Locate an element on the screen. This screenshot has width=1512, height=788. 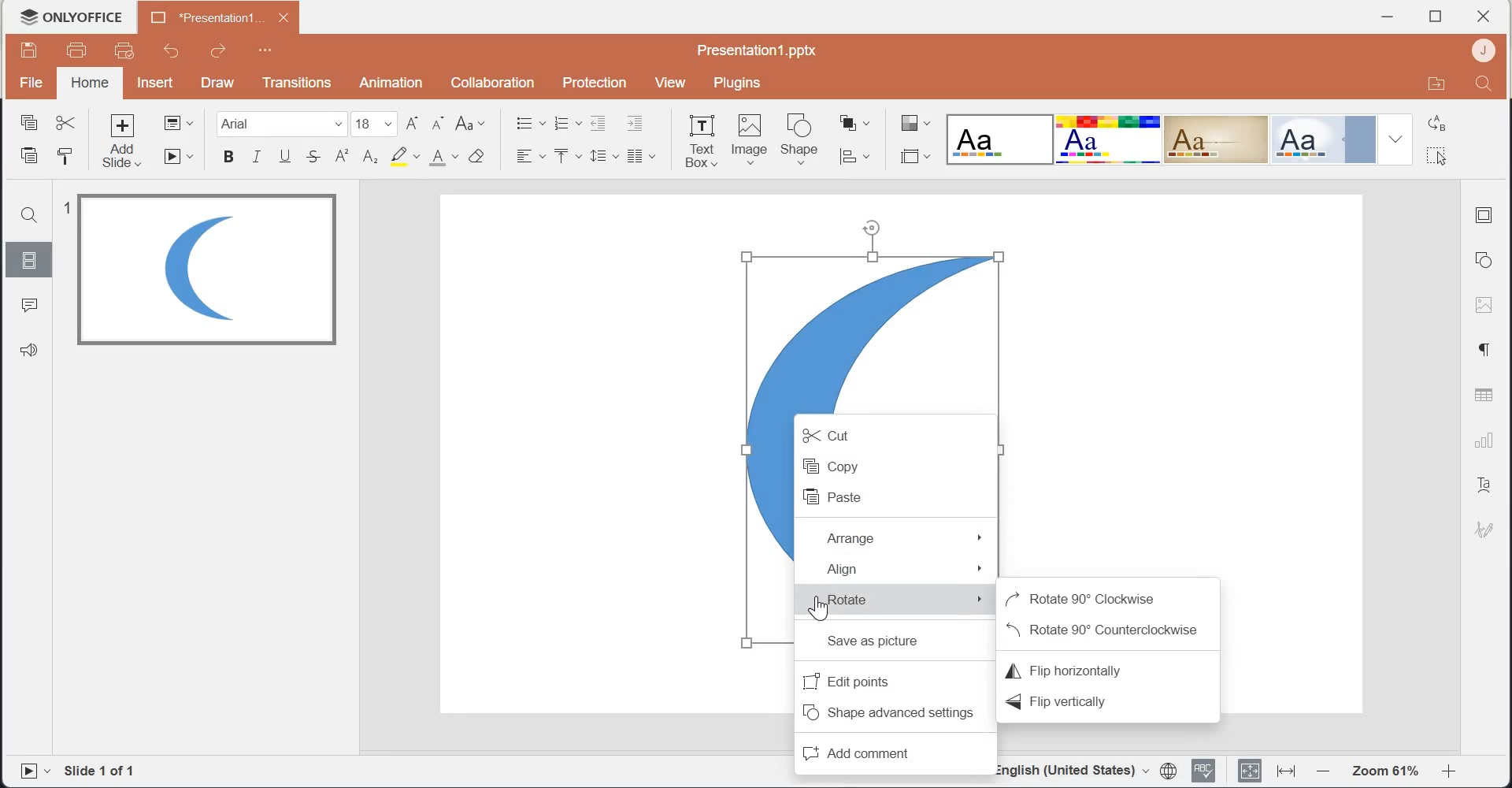
Undo is located at coordinates (170, 52).